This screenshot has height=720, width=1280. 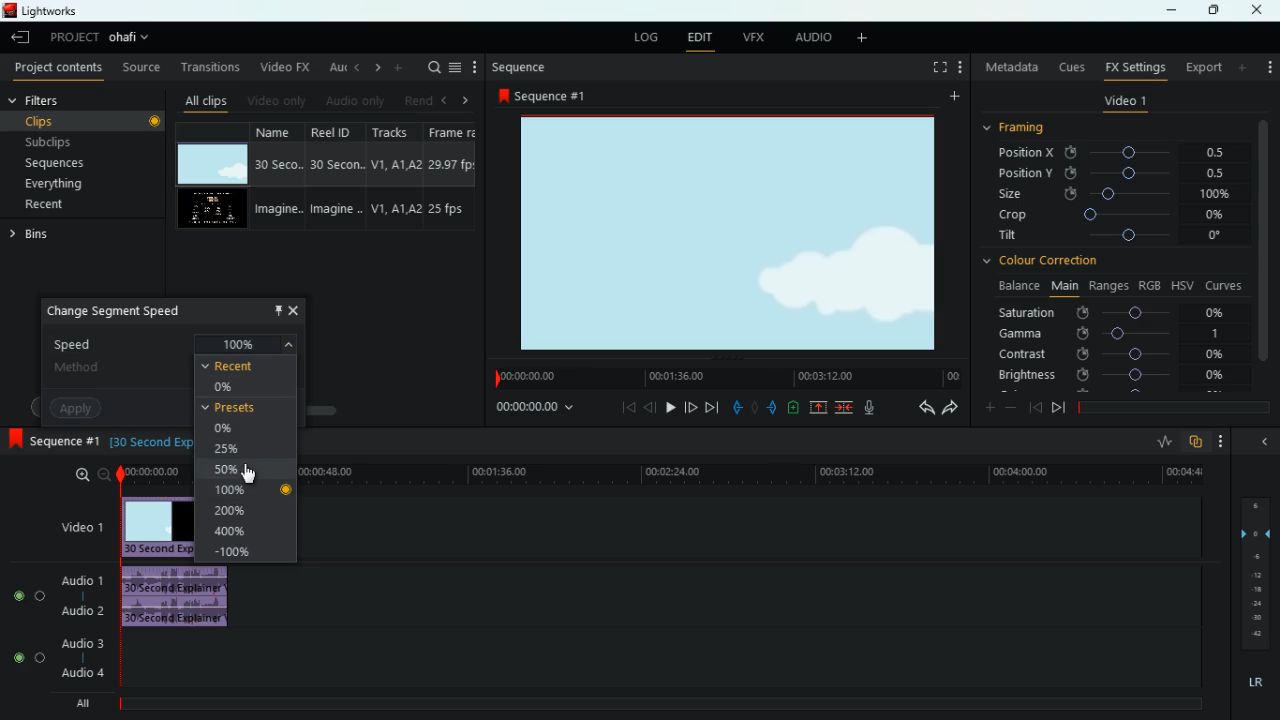 What do you see at coordinates (28, 658) in the screenshot?
I see `Audio` at bounding box center [28, 658].